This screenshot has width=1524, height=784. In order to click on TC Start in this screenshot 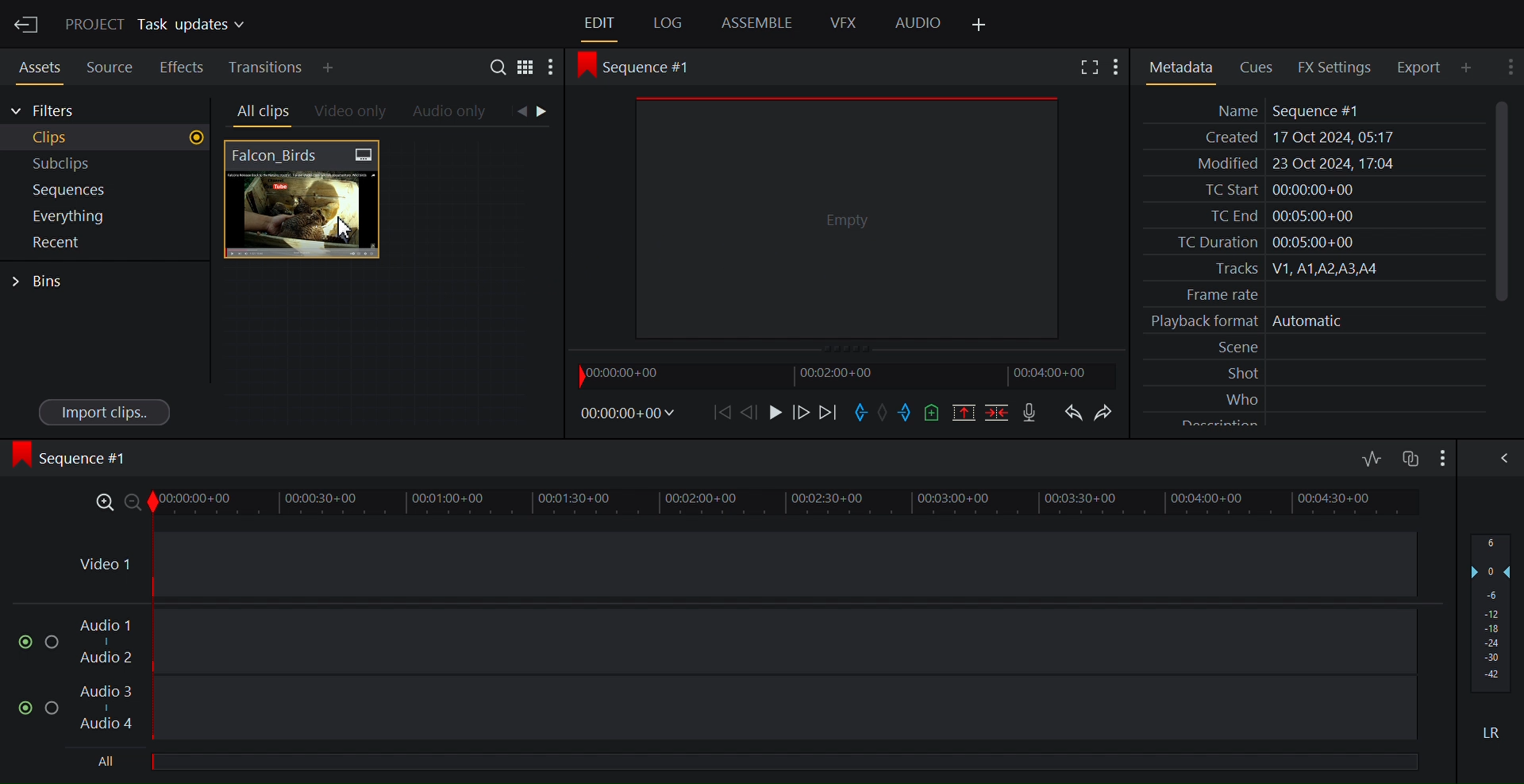, I will do `click(1311, 190)`.